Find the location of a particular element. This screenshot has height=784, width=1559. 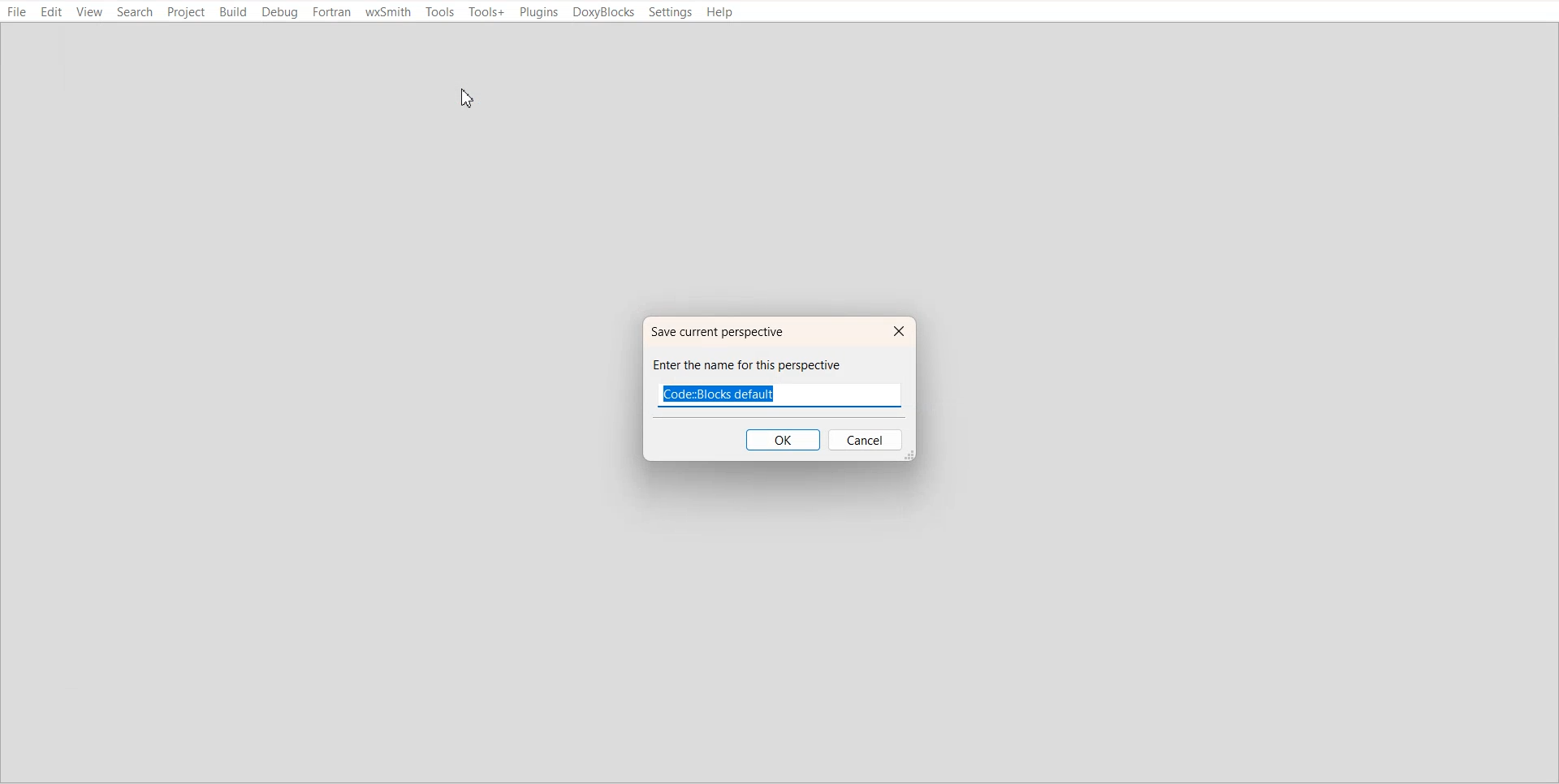

Tools+ is located at coordinates (486, 12).